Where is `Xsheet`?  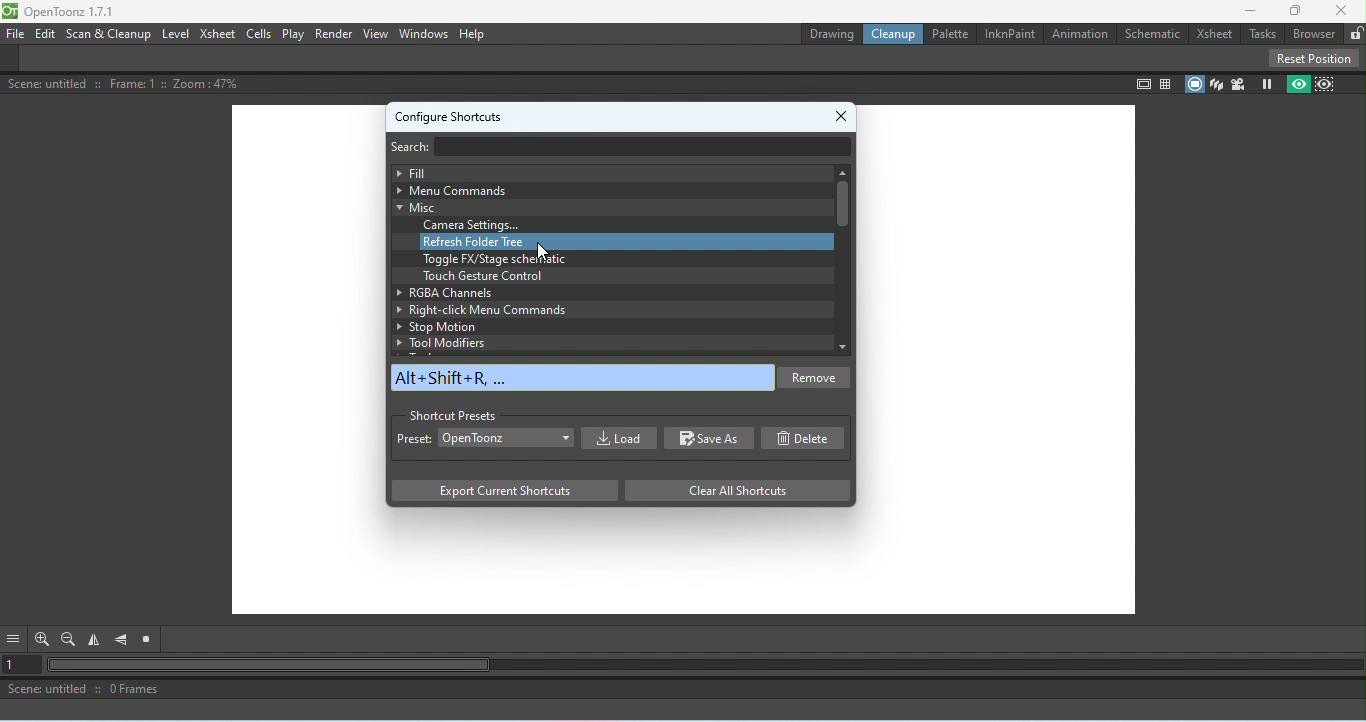
Xsheet is located at coordinates (1213, 32).